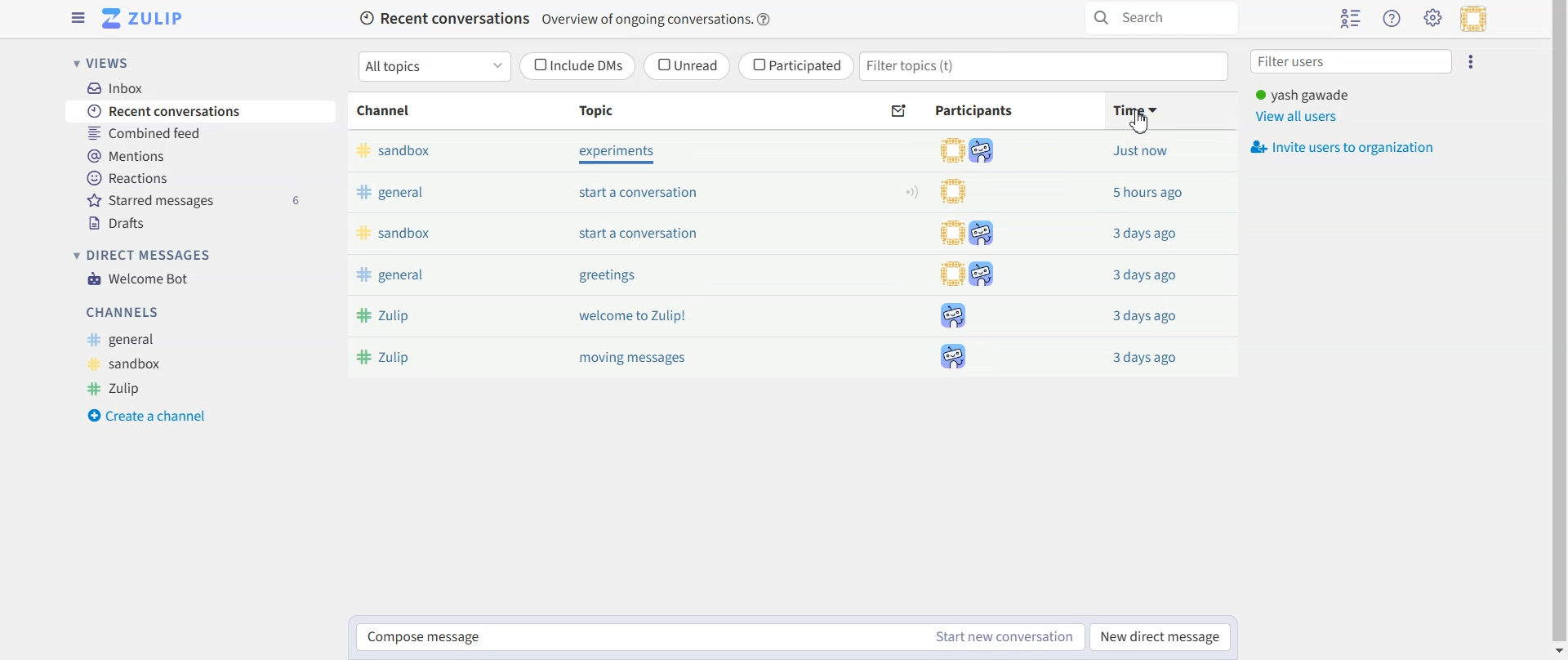 Image resolution: width=1568 pixels, height=660 pixels. Describe the element at coordinates (147, 415) in the screenshot. I see `Create a channel` at that location.